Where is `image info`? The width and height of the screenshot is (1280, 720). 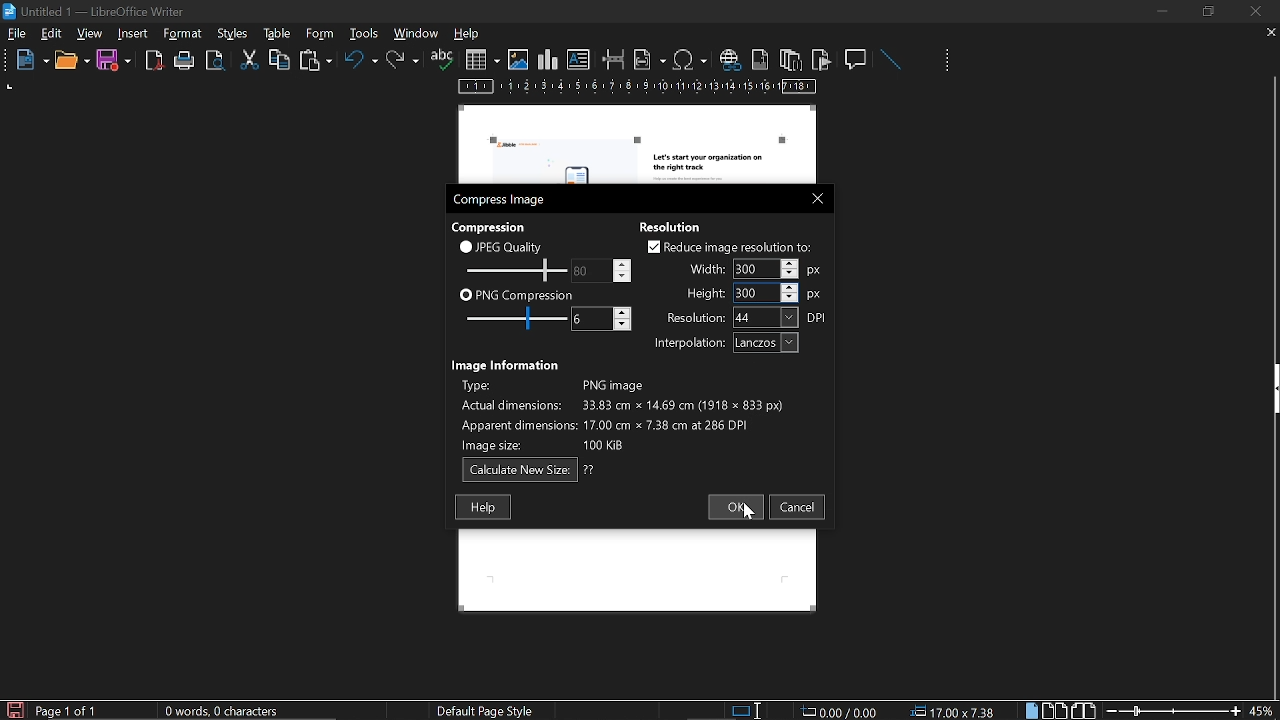 image info is located at coordinates (621, 413).